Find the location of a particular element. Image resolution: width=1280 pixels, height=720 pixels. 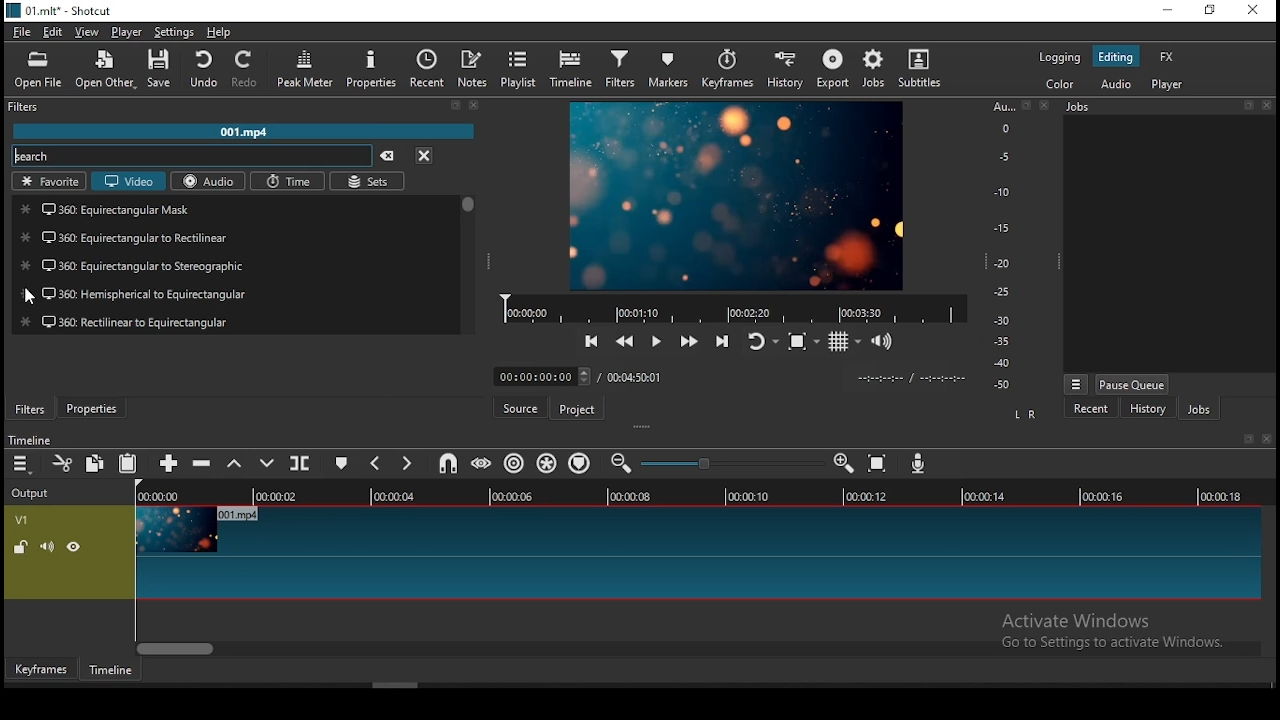

export is located at coordinates (831, 69).